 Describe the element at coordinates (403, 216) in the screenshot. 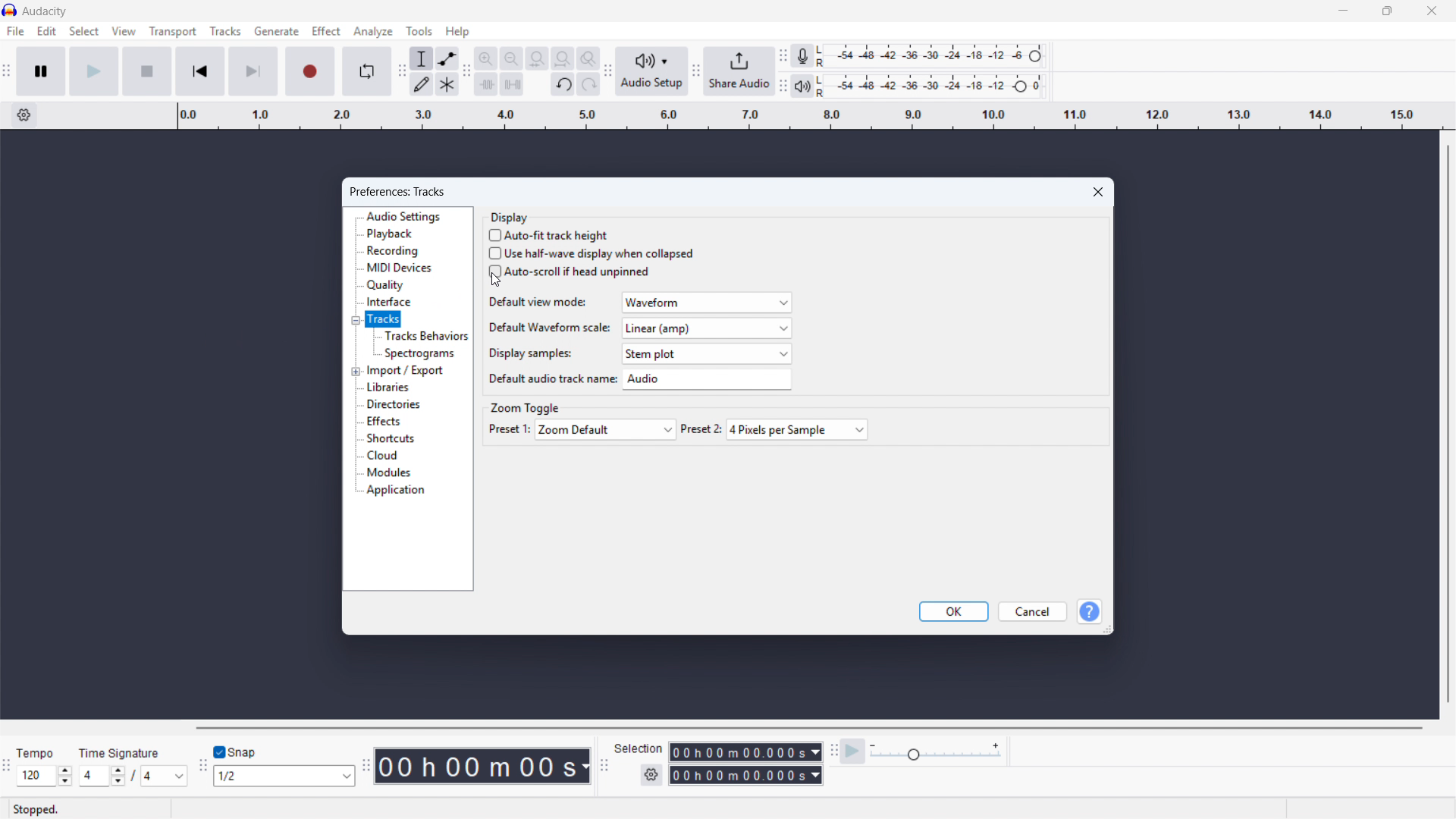

I see `audio settings` at that location.